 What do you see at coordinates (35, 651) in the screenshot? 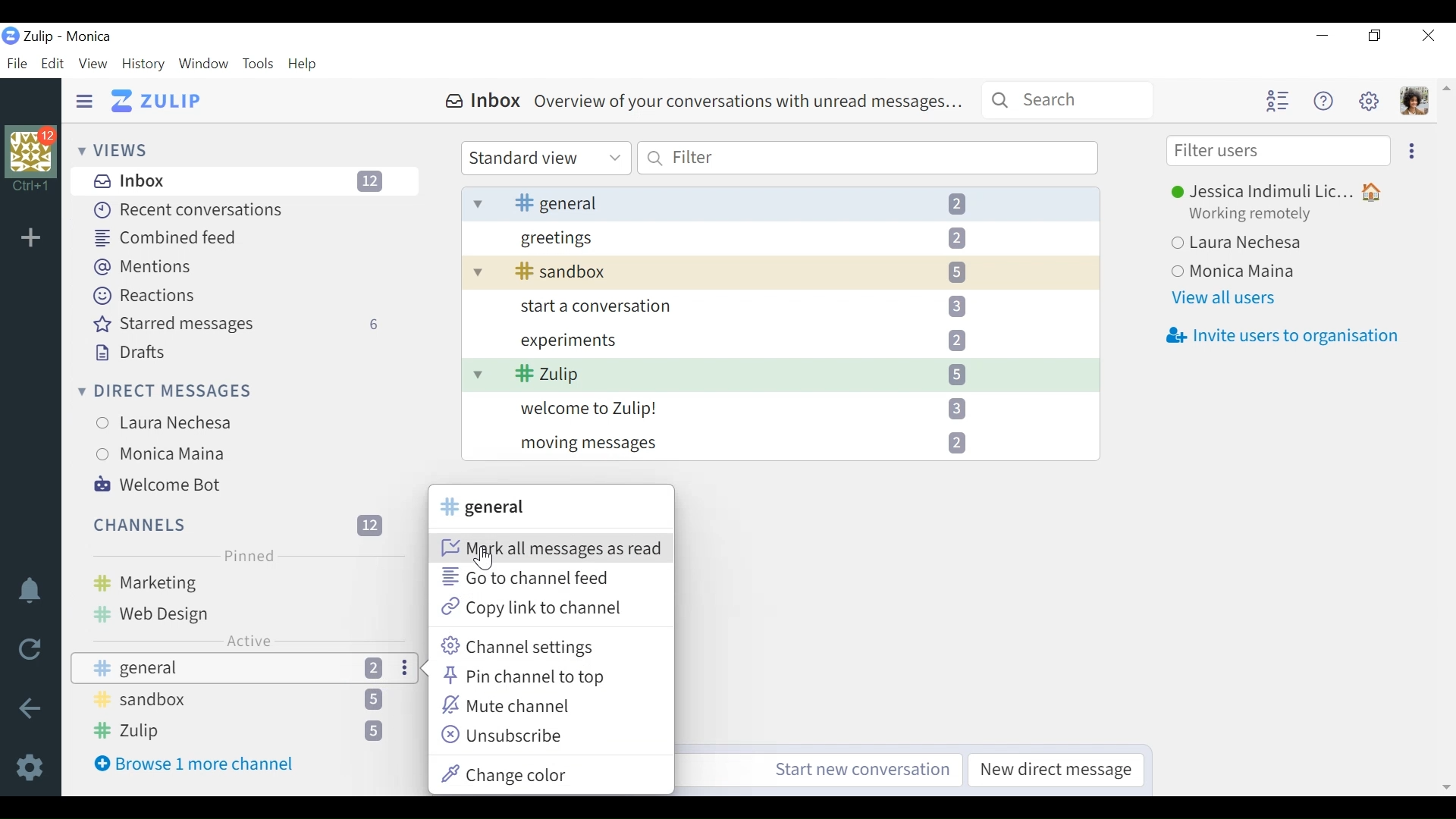
I see `Reload` at bounding box center [35, 651].